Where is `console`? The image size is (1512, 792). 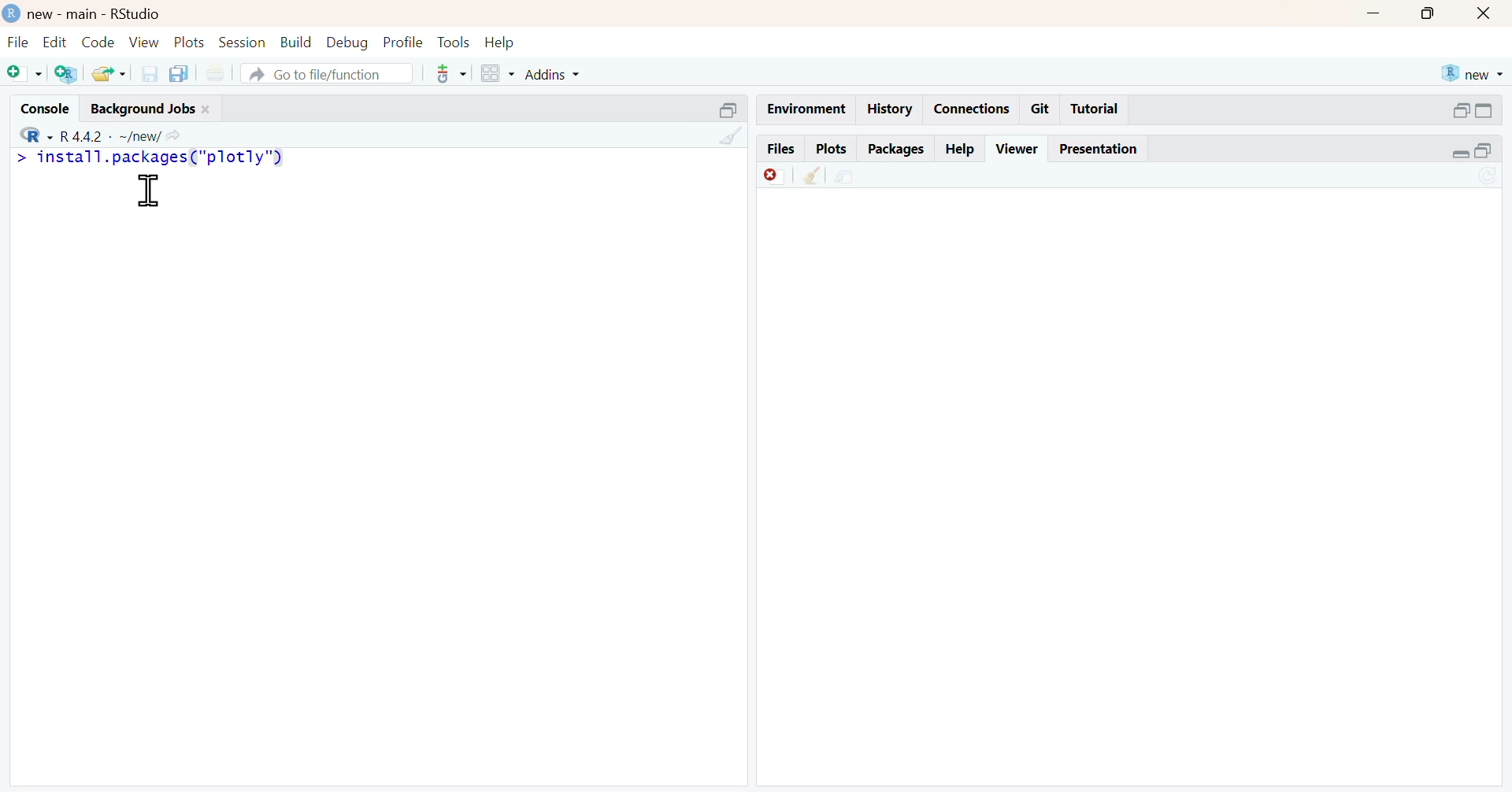 console is located at coordinates (37, 105).